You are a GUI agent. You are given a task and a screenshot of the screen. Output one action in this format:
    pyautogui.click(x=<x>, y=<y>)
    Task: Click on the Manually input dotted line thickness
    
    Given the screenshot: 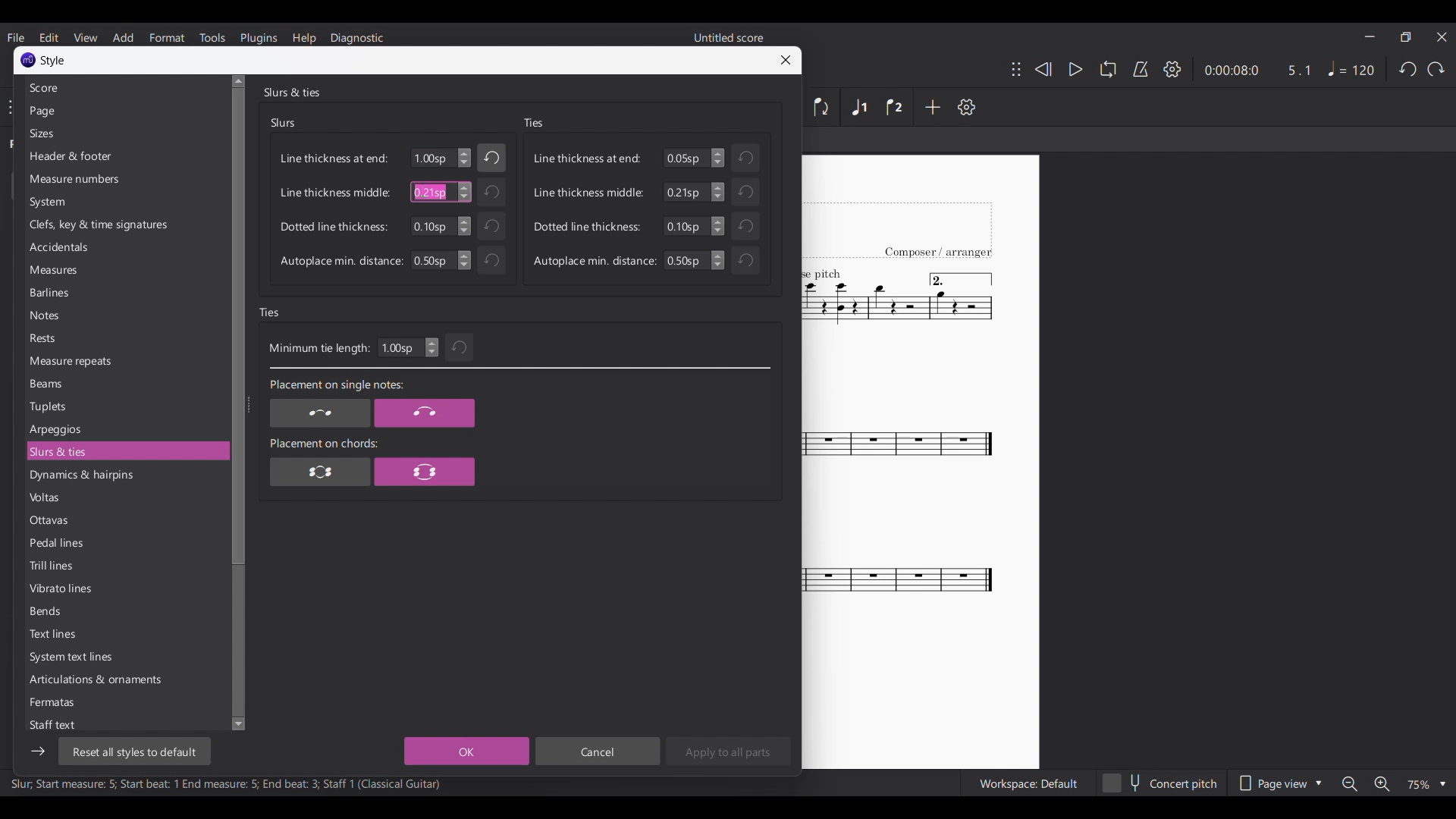 What is the action you would take?
    pyautogui.click(x=431, y=226)
    